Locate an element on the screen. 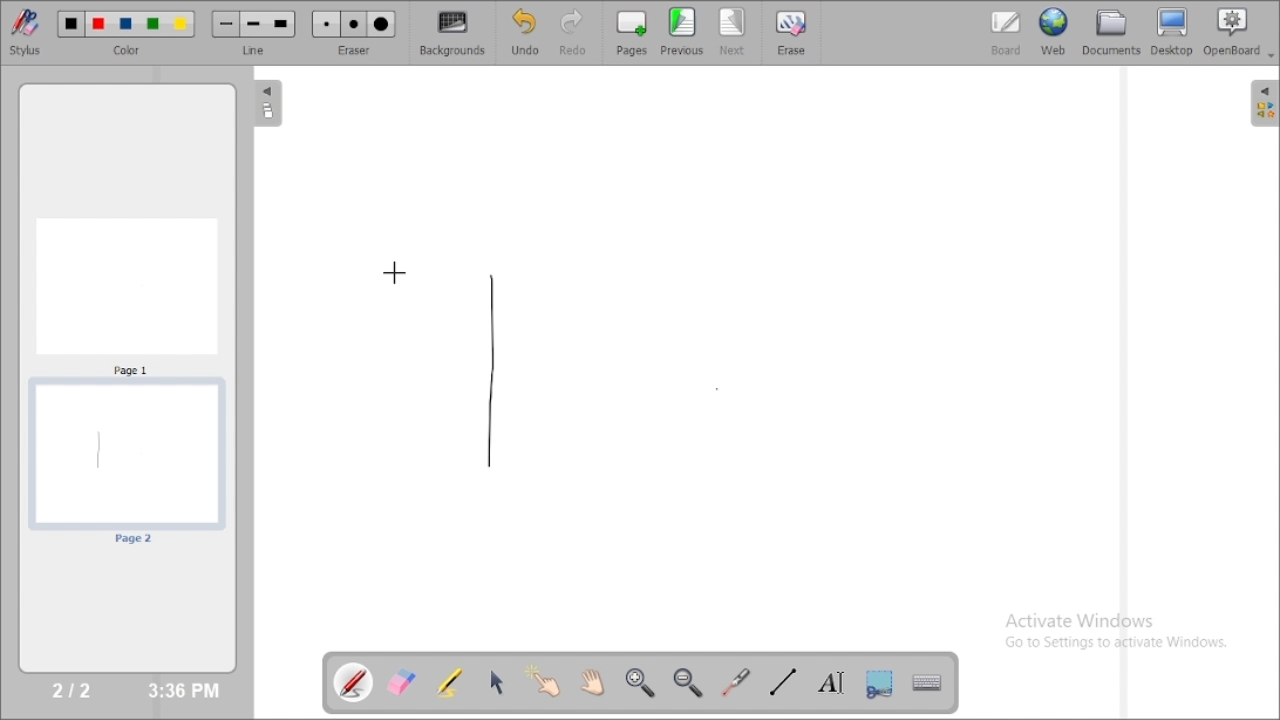  line is located at coordinates (490, 368).